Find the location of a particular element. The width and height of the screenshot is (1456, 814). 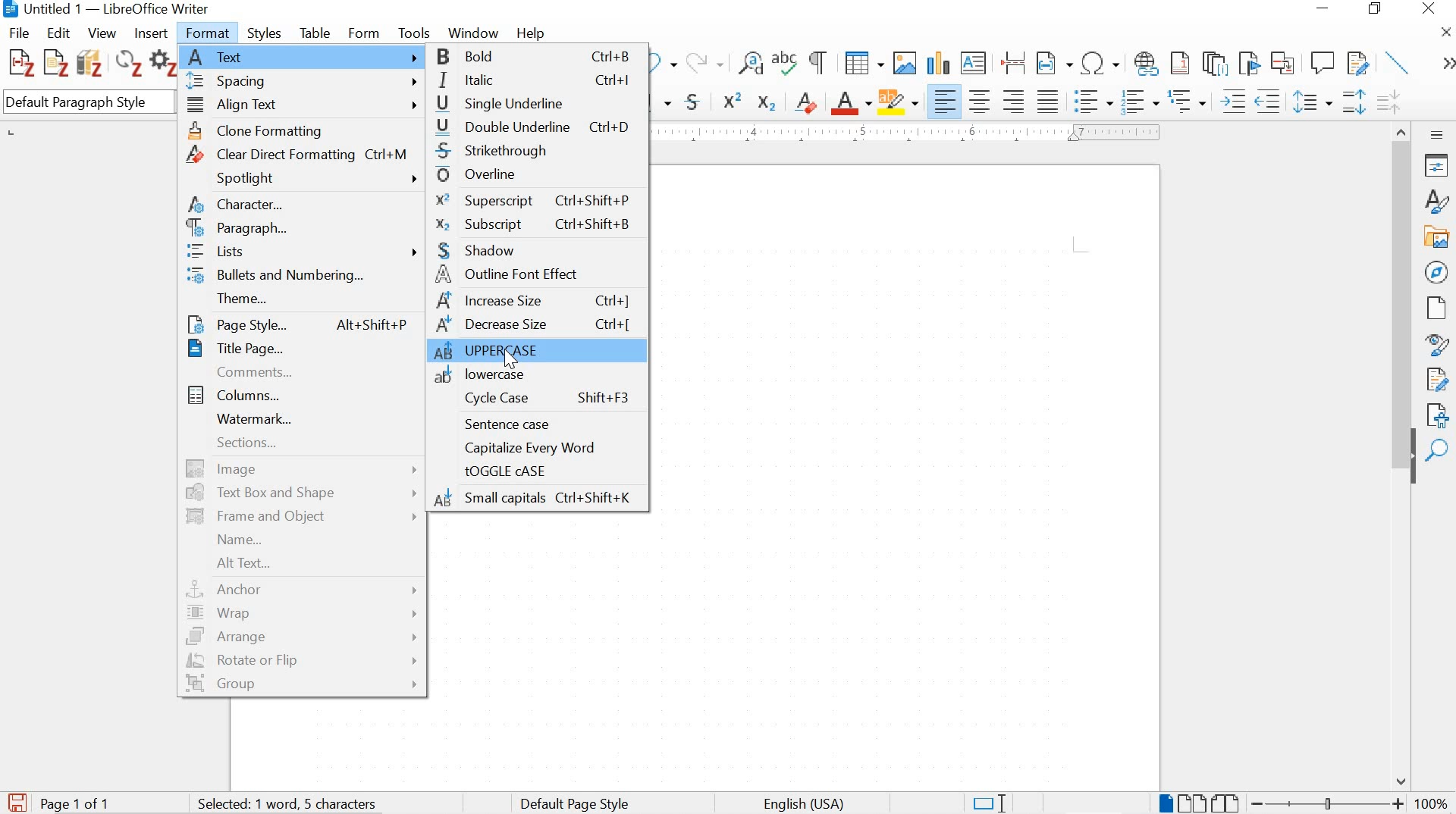

minimize is located at coordinates (1321, 8).